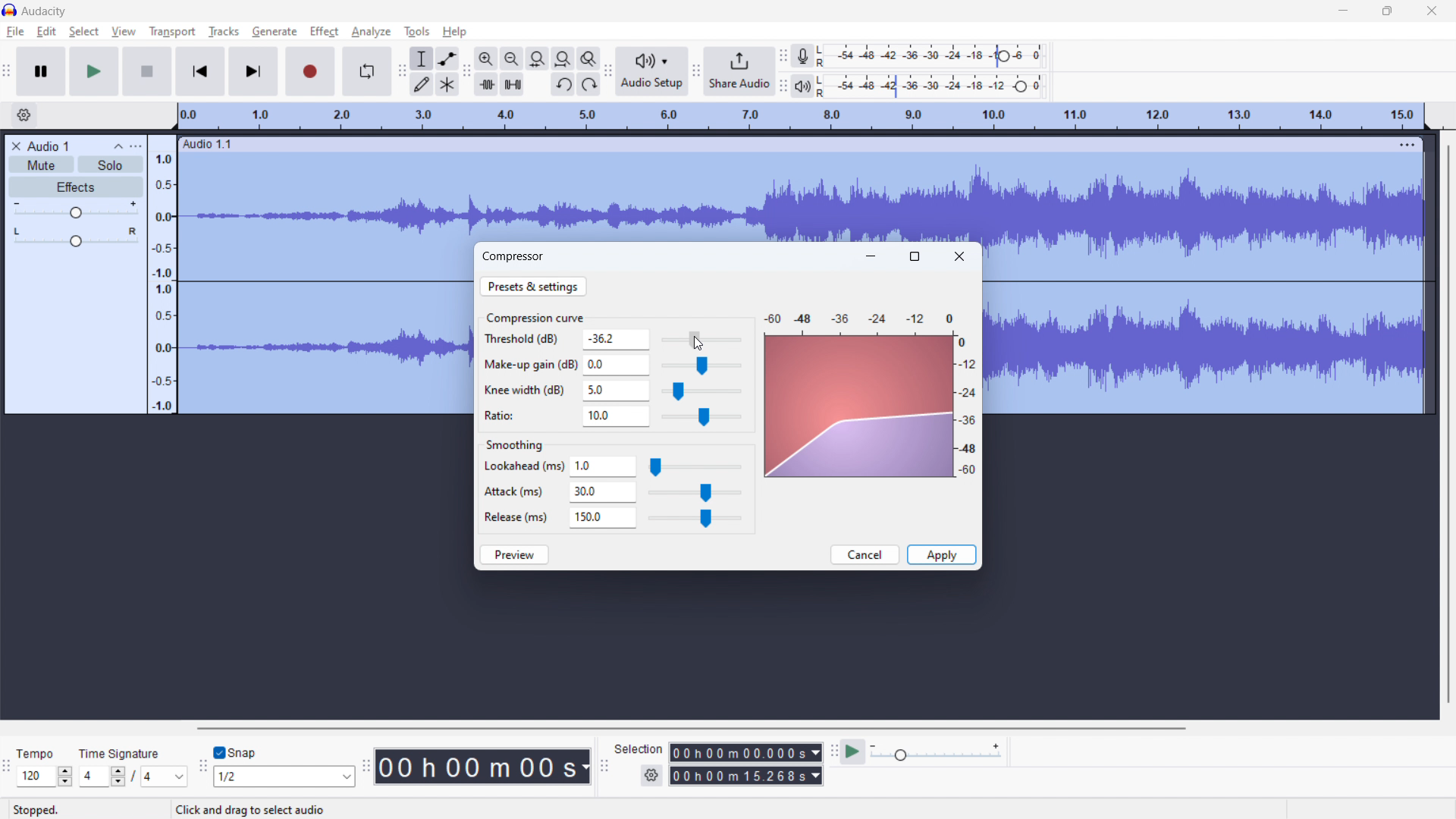  Describe the element at coordinates (589, 58) in the screenshot. I see `toggle zoom` at that location.